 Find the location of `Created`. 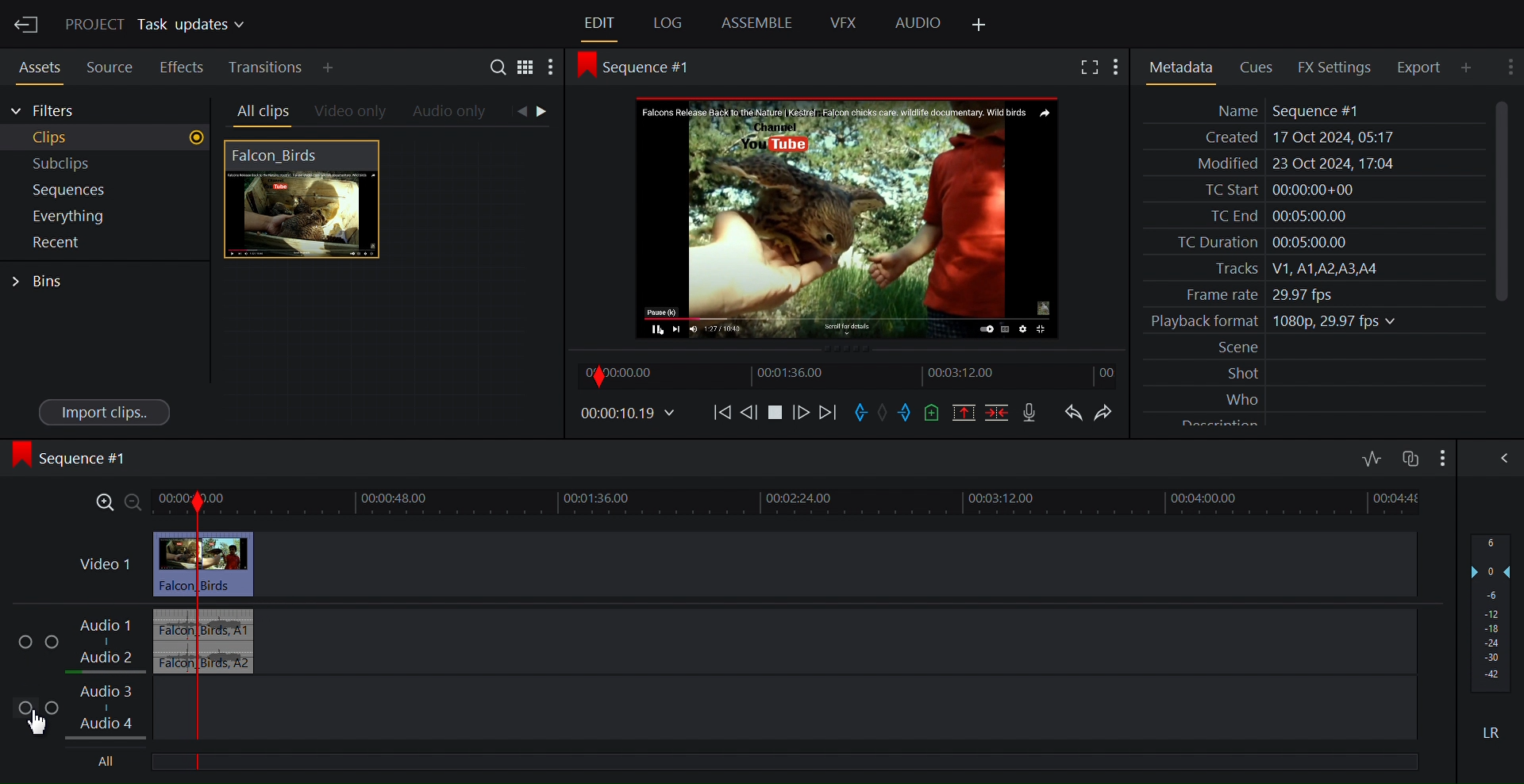

Created is located at coordinates (1310, 138).